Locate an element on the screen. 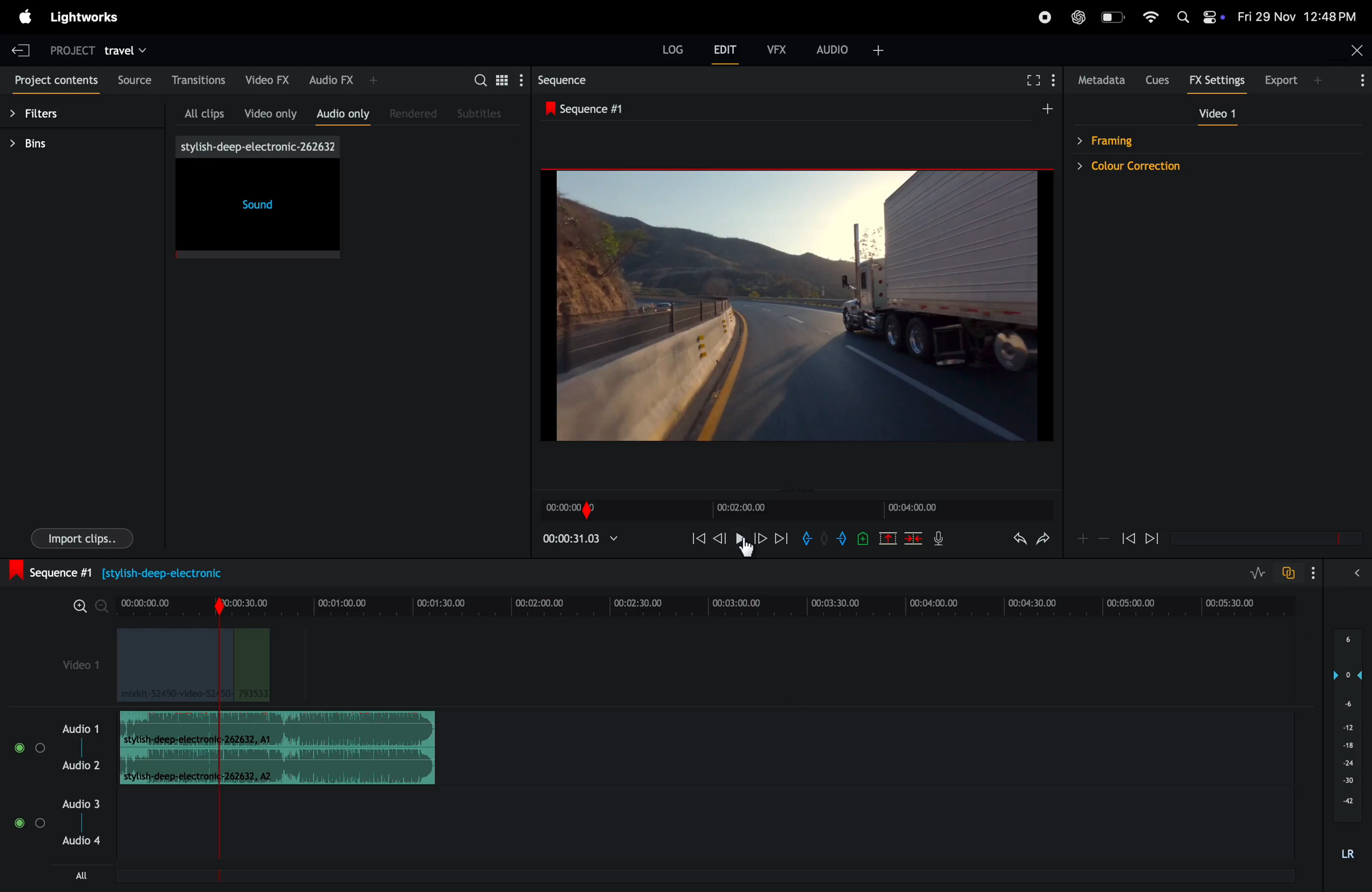 Image resolution: width=1372 pixels, height=892 pixels. record is located at coordinates (1045, 17).